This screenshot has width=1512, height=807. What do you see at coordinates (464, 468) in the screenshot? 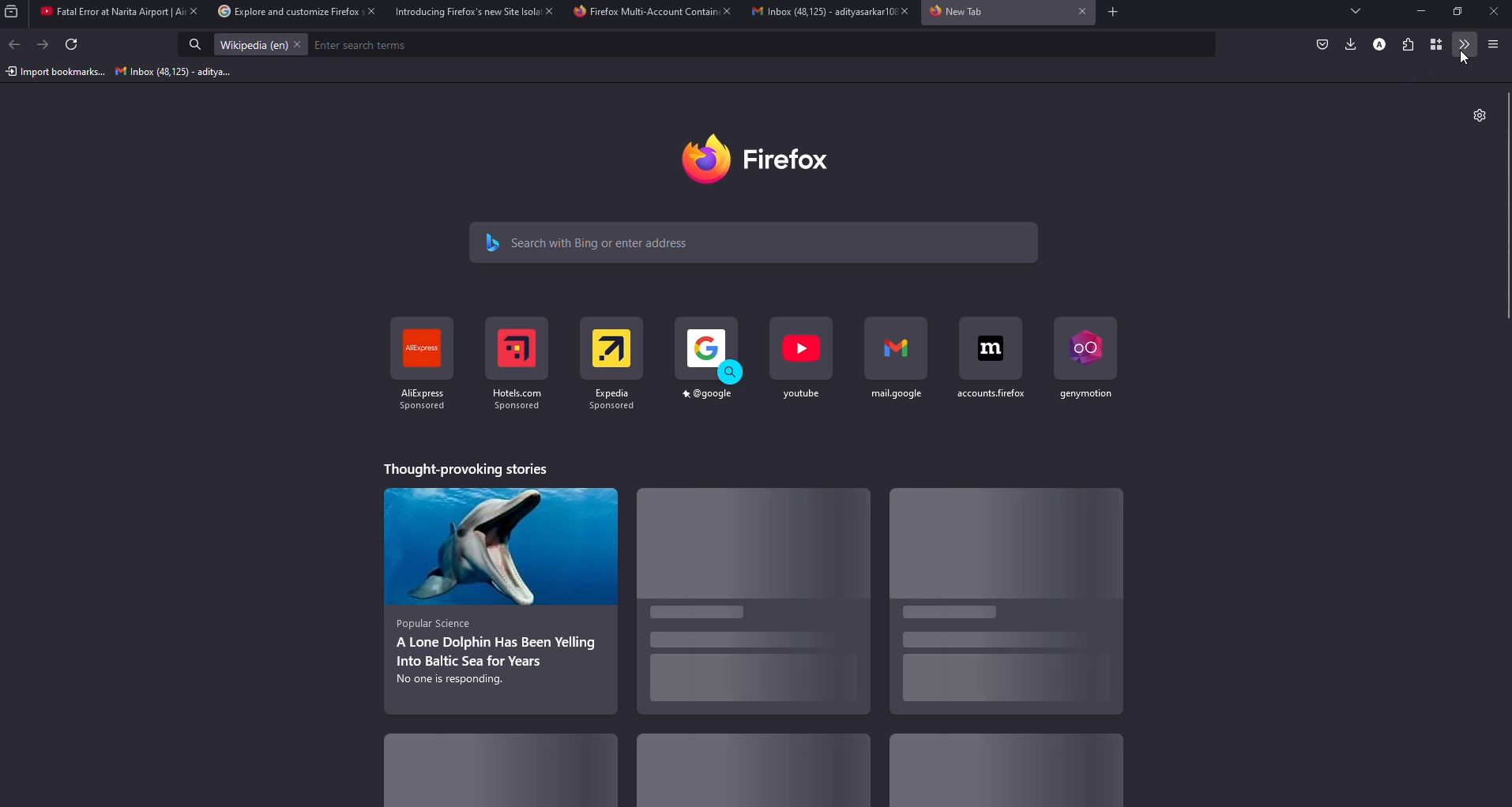
I see `stories` at bounding box center [464, 468].